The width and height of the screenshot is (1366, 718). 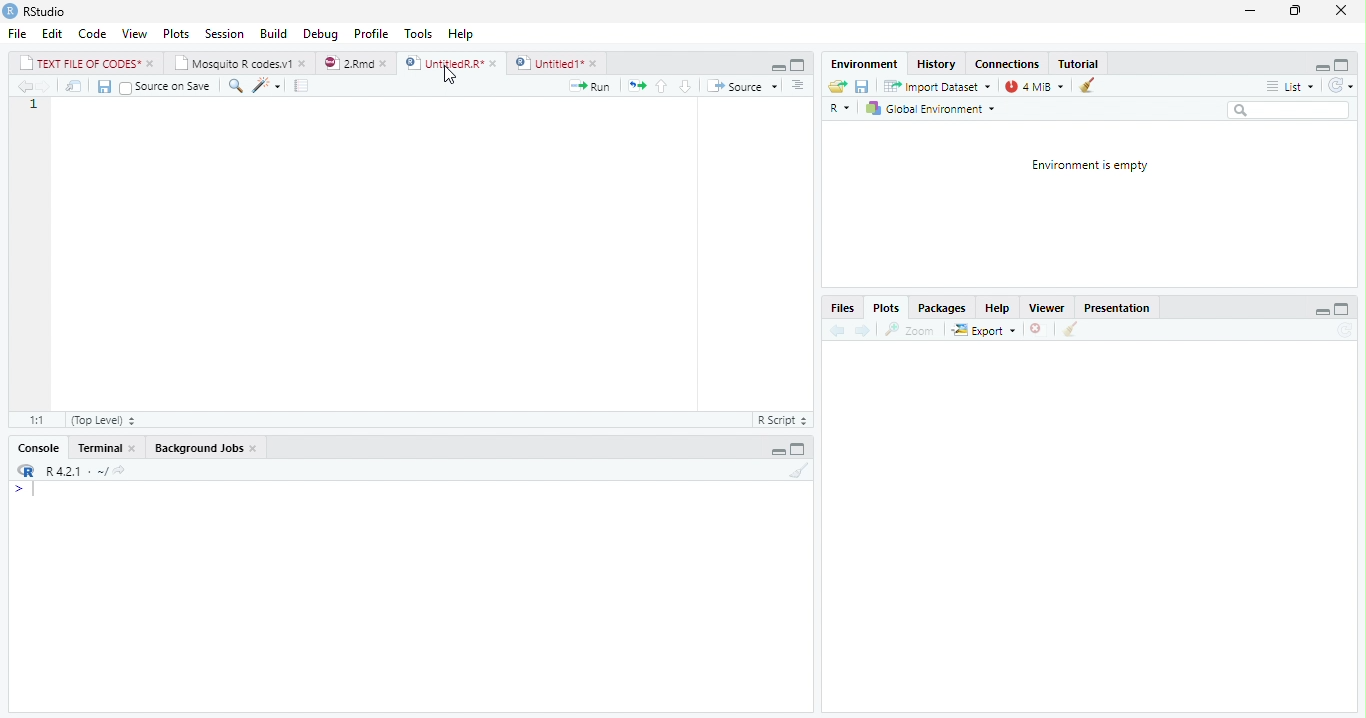 I want to click on hide console, so click(x=798, y=64).